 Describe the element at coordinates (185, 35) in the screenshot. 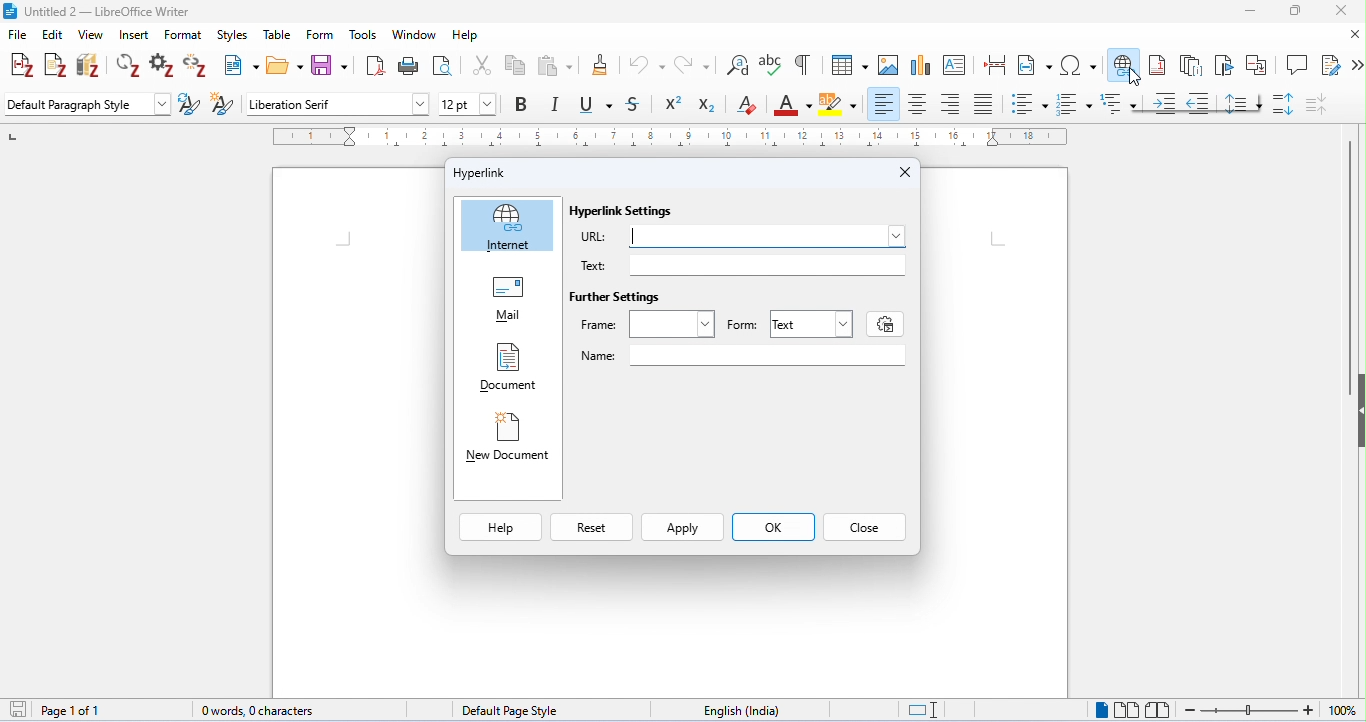

I see `format` at that location.